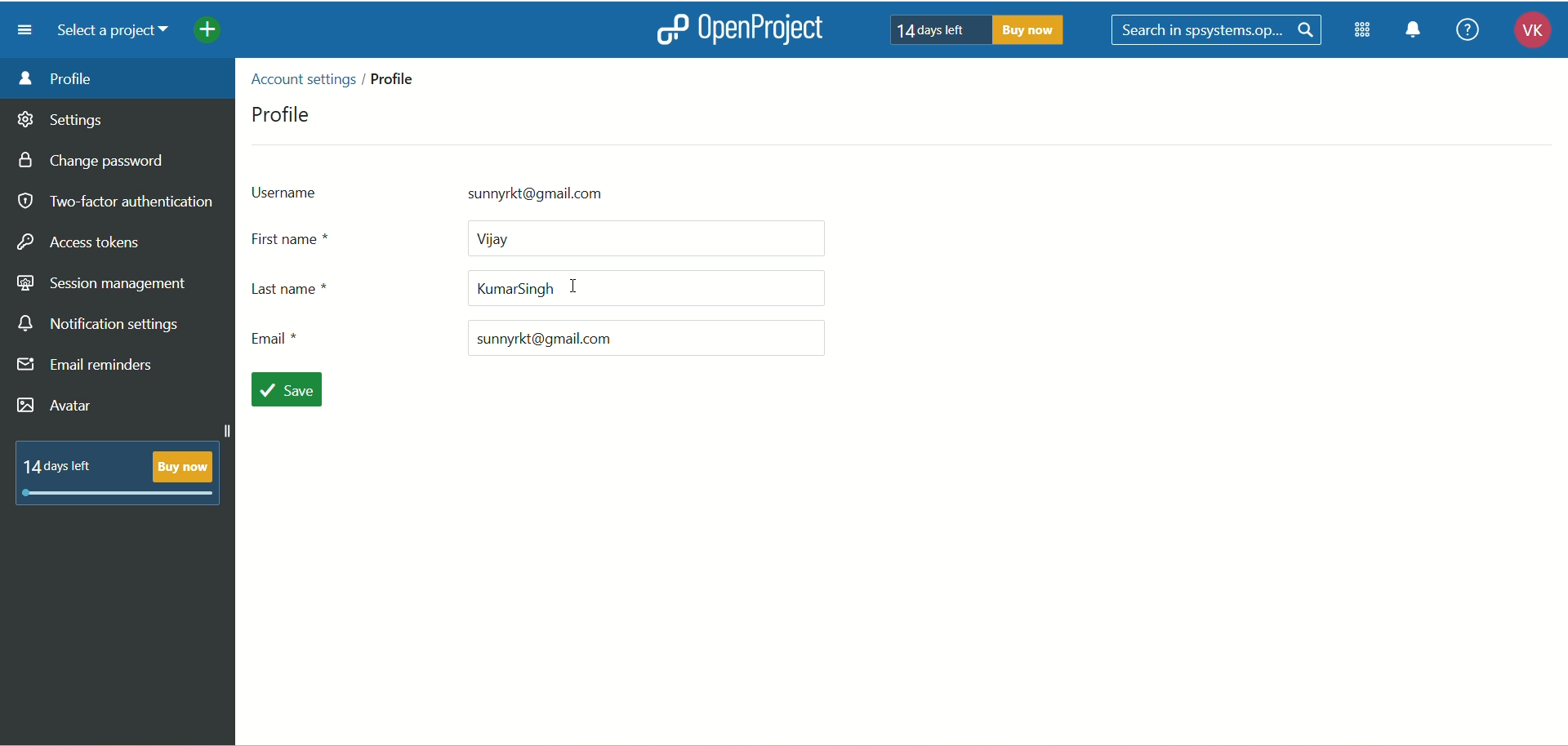 Image resolution: width=1568 pixels, height=746 pixels. Describe the element at coordinates (540, 284) in the screenshot. I see `last name` at that location.